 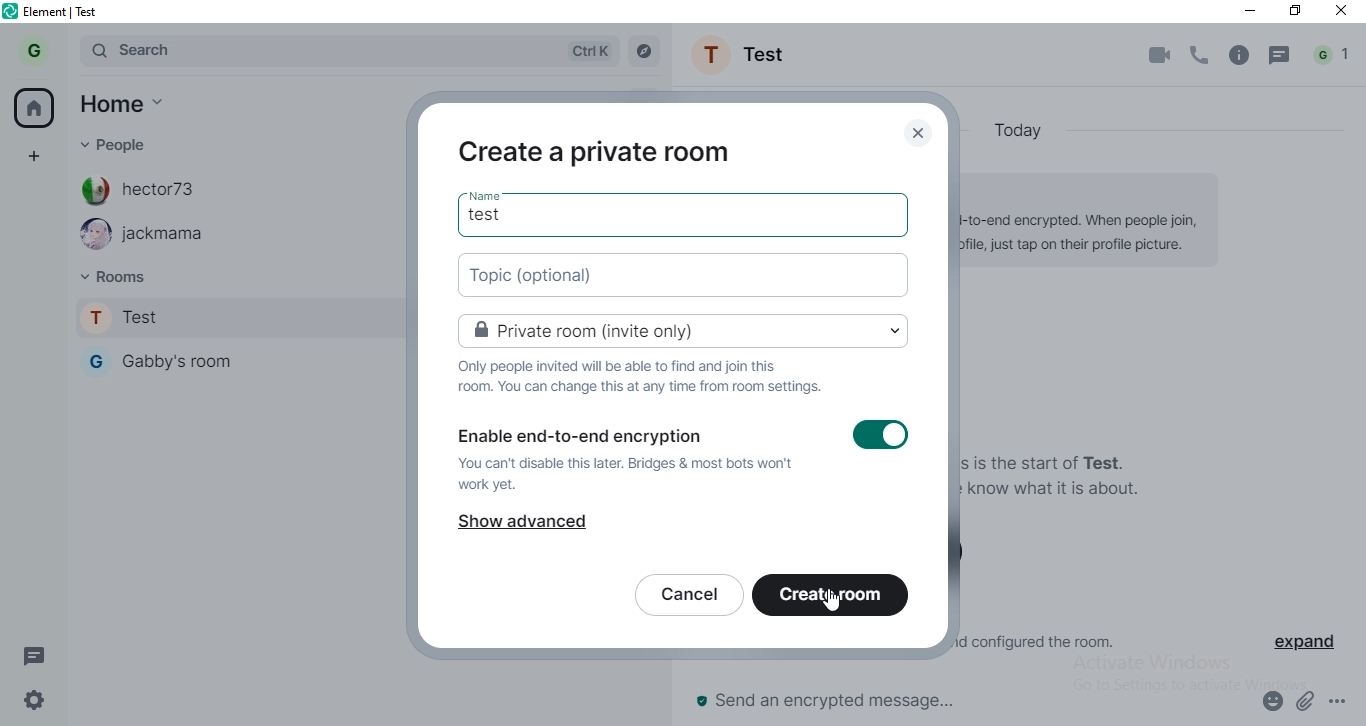 What do you see at coordinates (34, 50) in the screenshot?
I see `profile` at bounding box center [34, 50].